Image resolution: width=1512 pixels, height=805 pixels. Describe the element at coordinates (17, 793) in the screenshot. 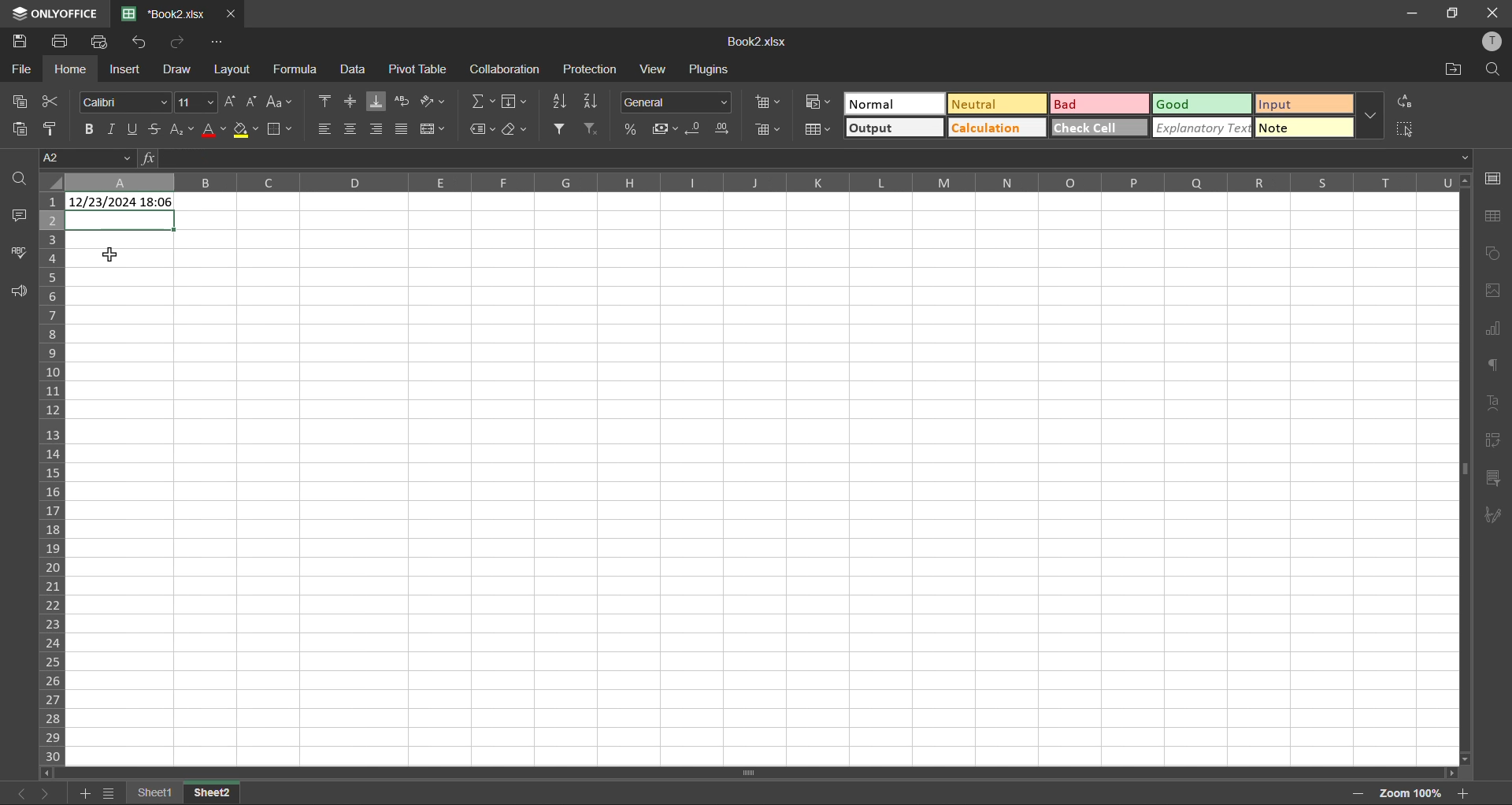

I see `previous` at that location.